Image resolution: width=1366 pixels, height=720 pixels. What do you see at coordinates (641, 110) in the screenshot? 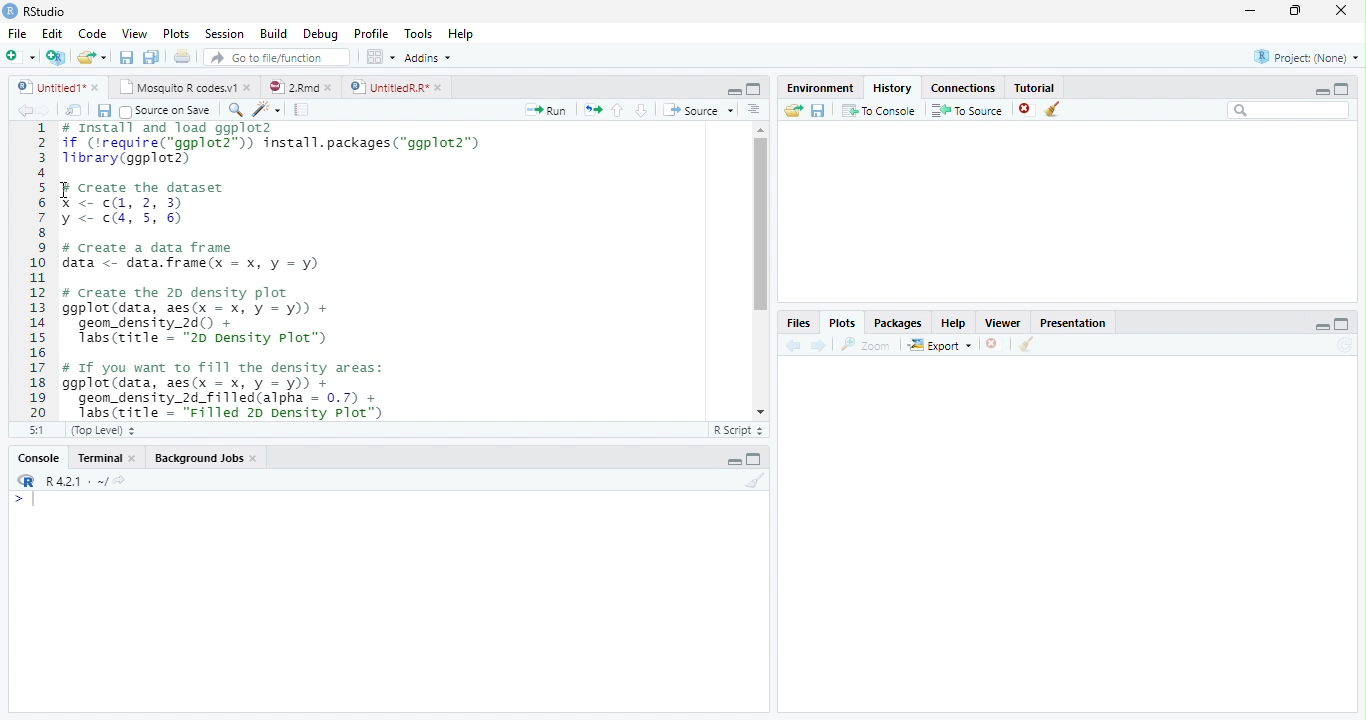
I see `down` at bounding box center [641, 110].